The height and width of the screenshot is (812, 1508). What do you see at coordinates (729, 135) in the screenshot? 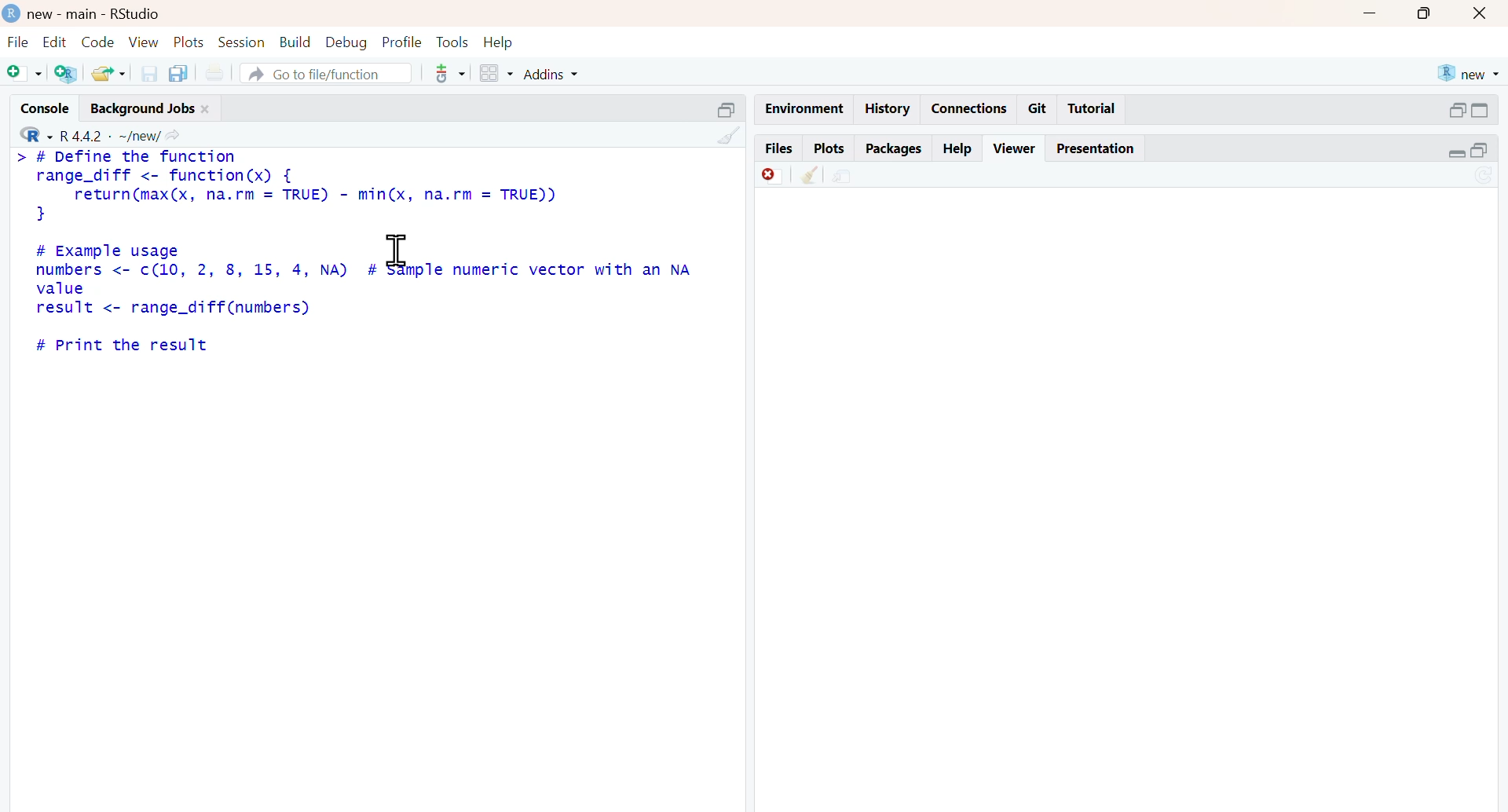
I see `` at bounding box center [729, 135].